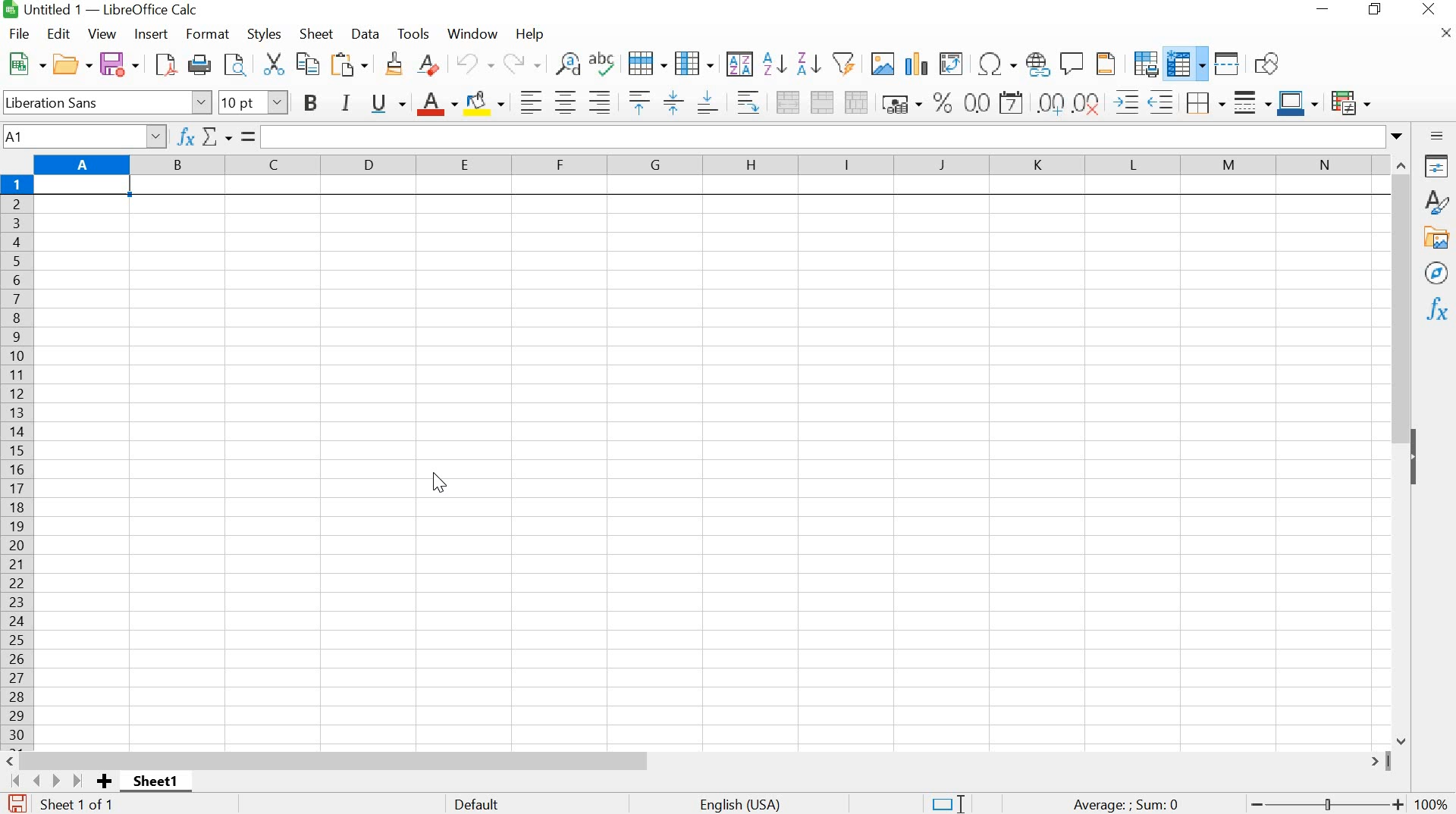 The width and height of the screenshot is (1456, 814). What do you see at coordinates (18, 33) in the screenshot?
I see `FILE` at bounding box center [18, 33].